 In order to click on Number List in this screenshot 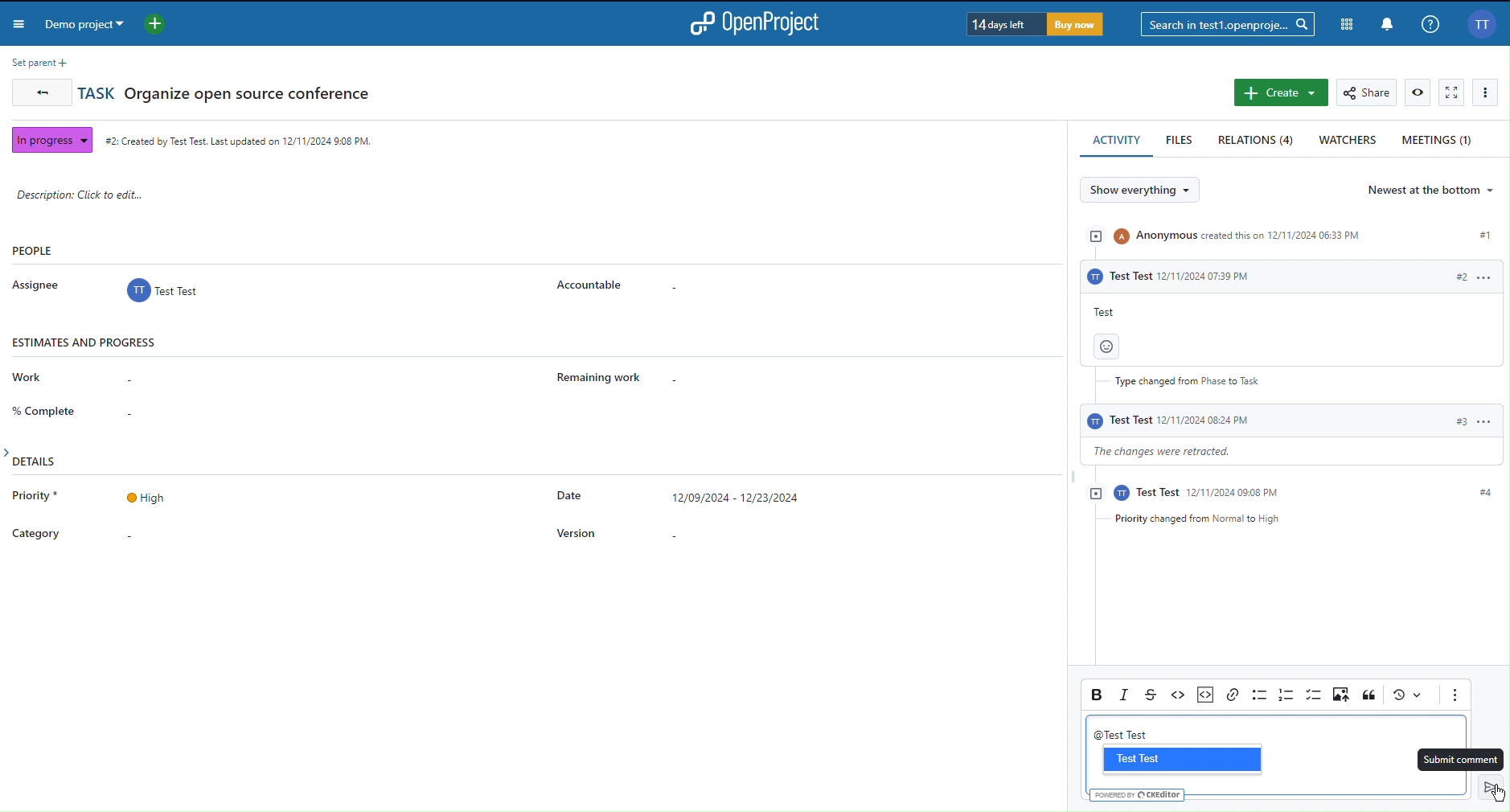, I will do `click(1286, 695)`.